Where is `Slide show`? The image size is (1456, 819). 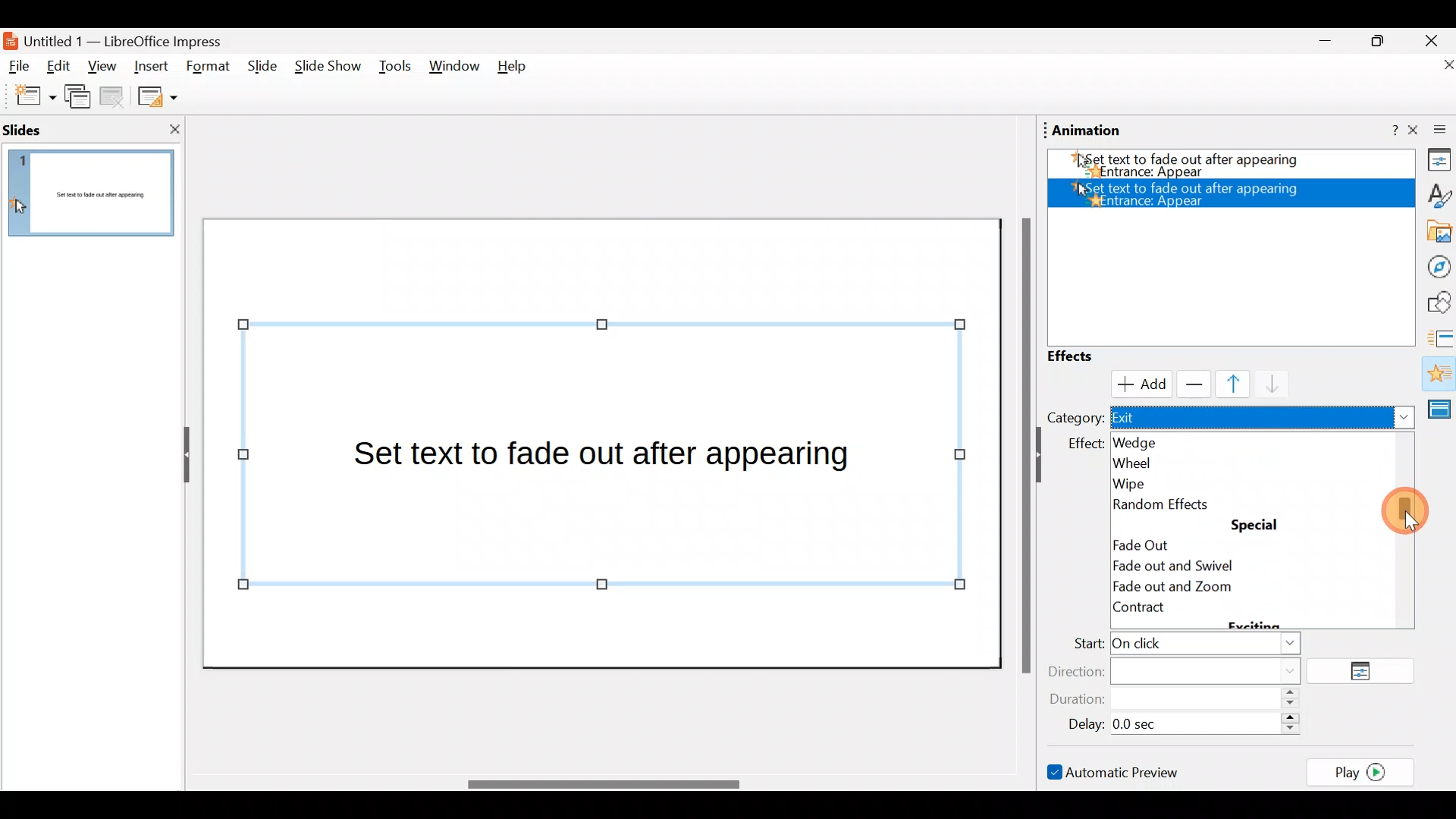 Slide show is located at coordinates (326, 70).